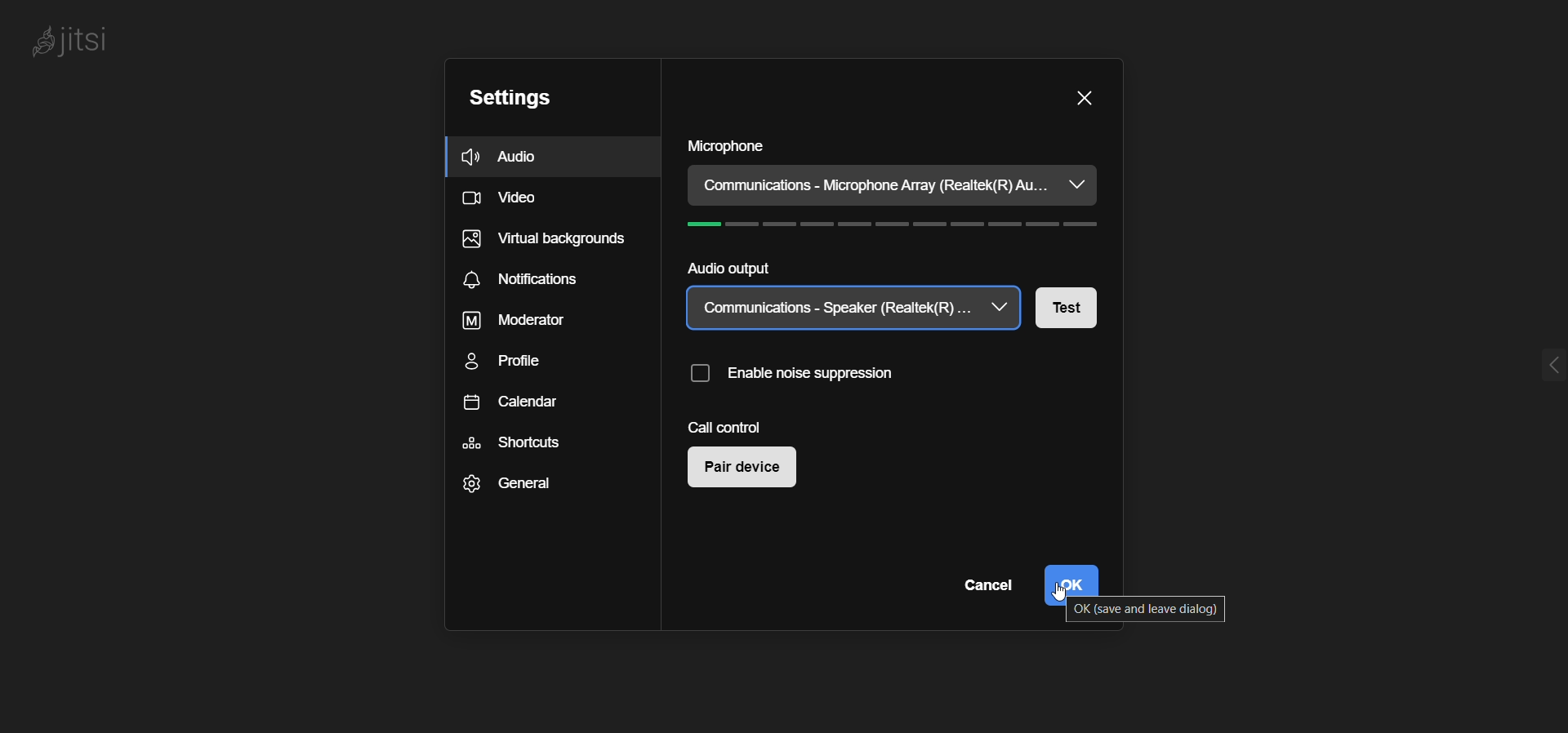 This screenshot has height=733, width=1568. I want to click on profile, so click(514, 362).